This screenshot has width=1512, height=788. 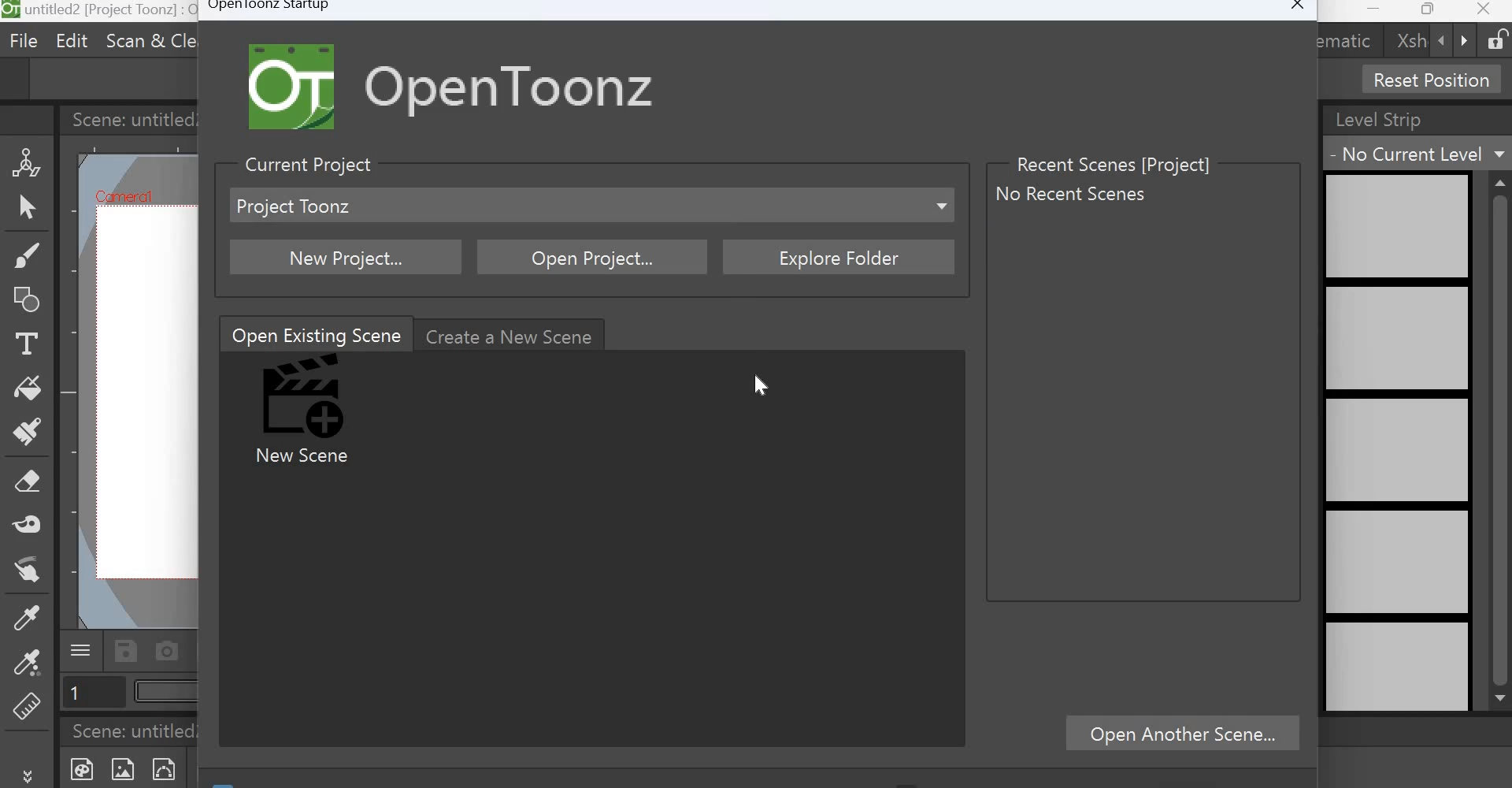 I want to click on Logo, so click(x=296, y=87).